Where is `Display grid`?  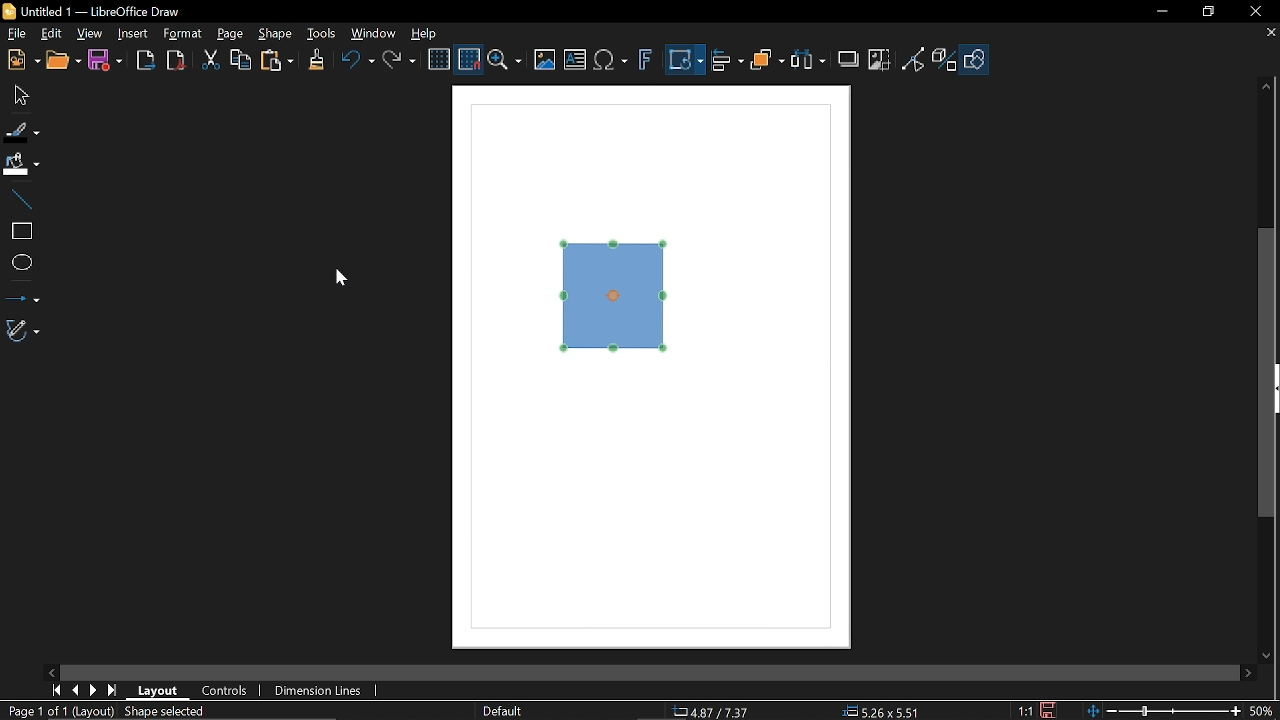 Display grid is located at coordinates (438, 60).